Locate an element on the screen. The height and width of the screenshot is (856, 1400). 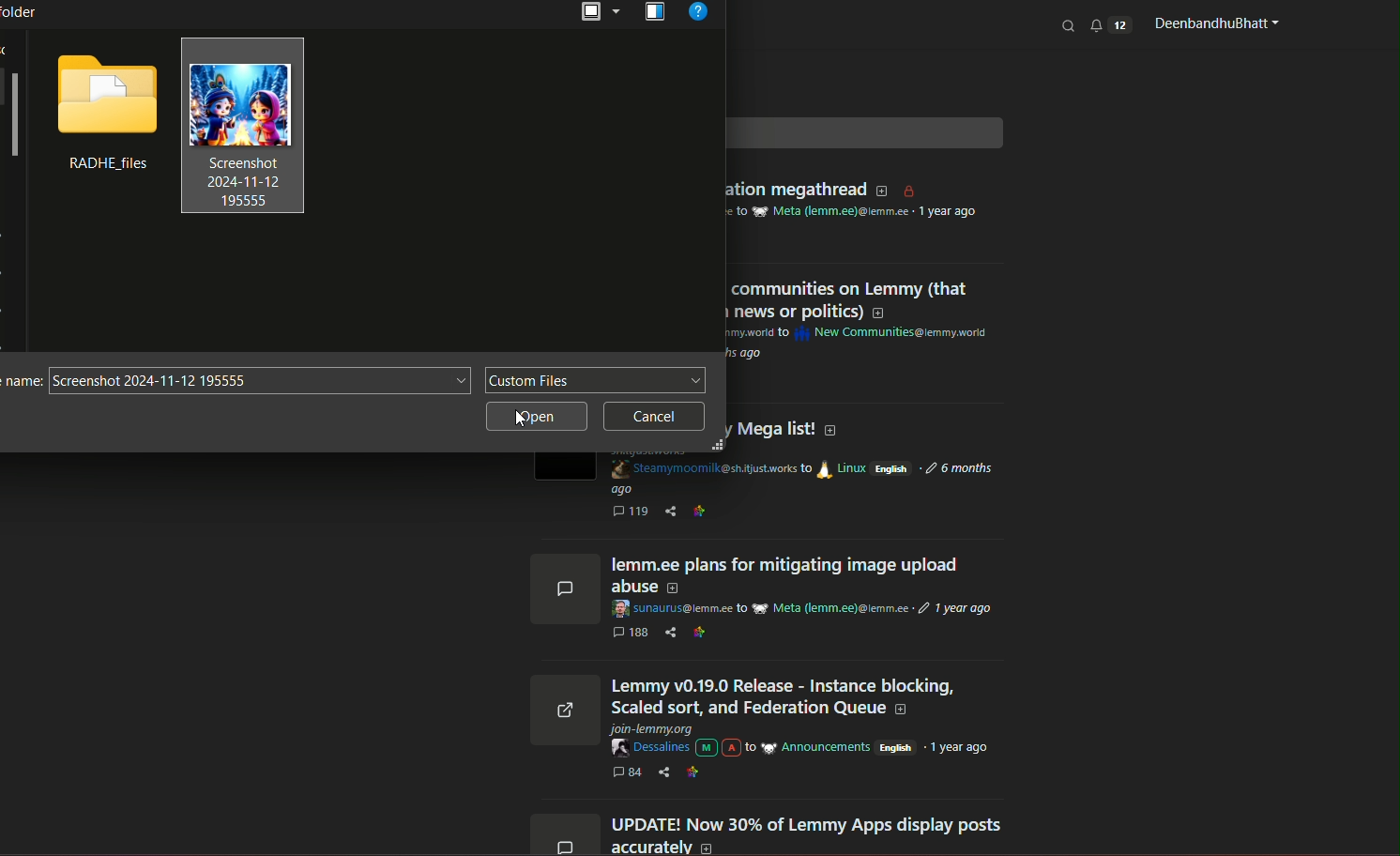
Cursor is located at coordinates (526, 419).